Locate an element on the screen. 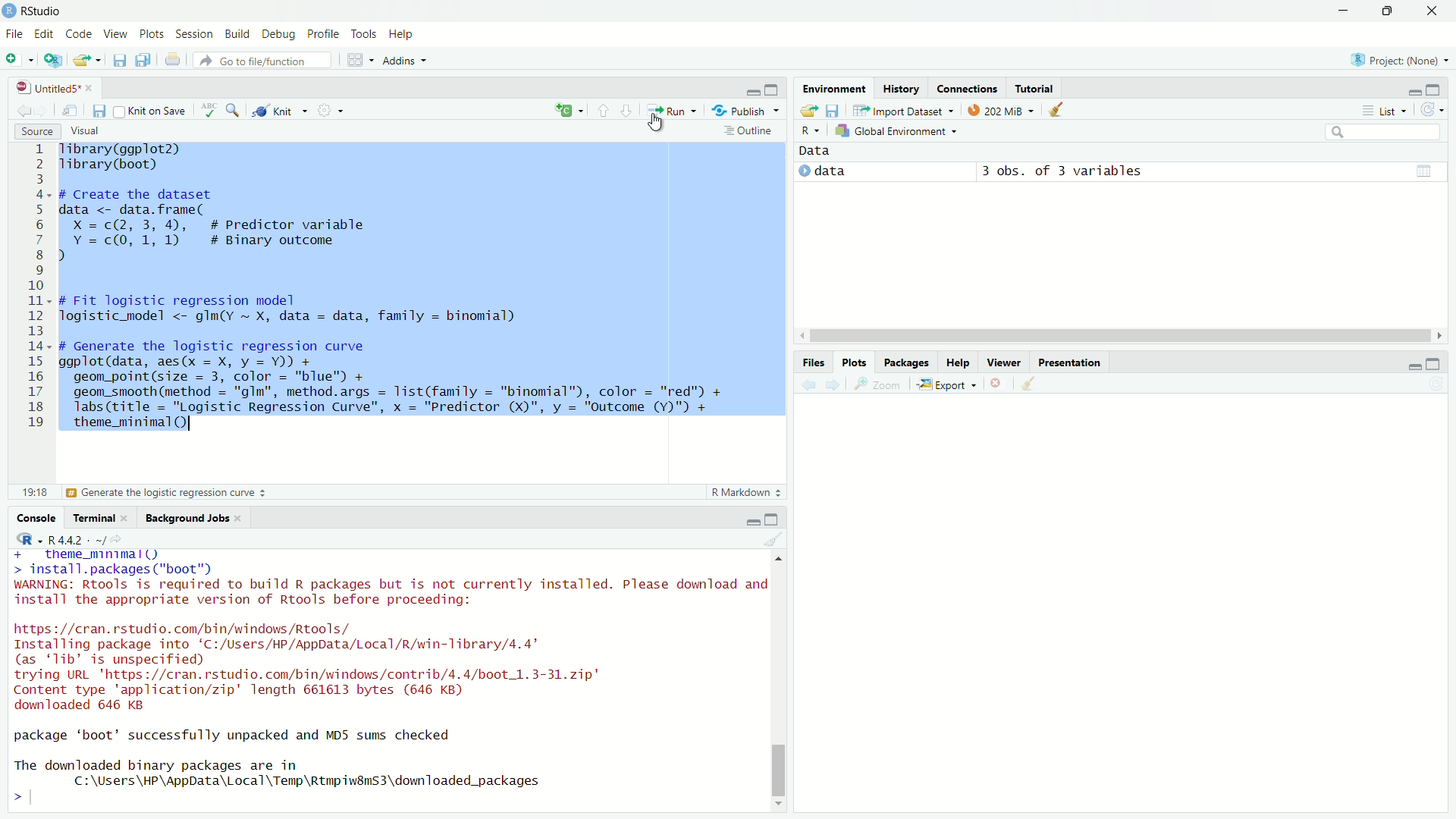 The image size is (1456, 819). List is located at coordinates (1382, 110).